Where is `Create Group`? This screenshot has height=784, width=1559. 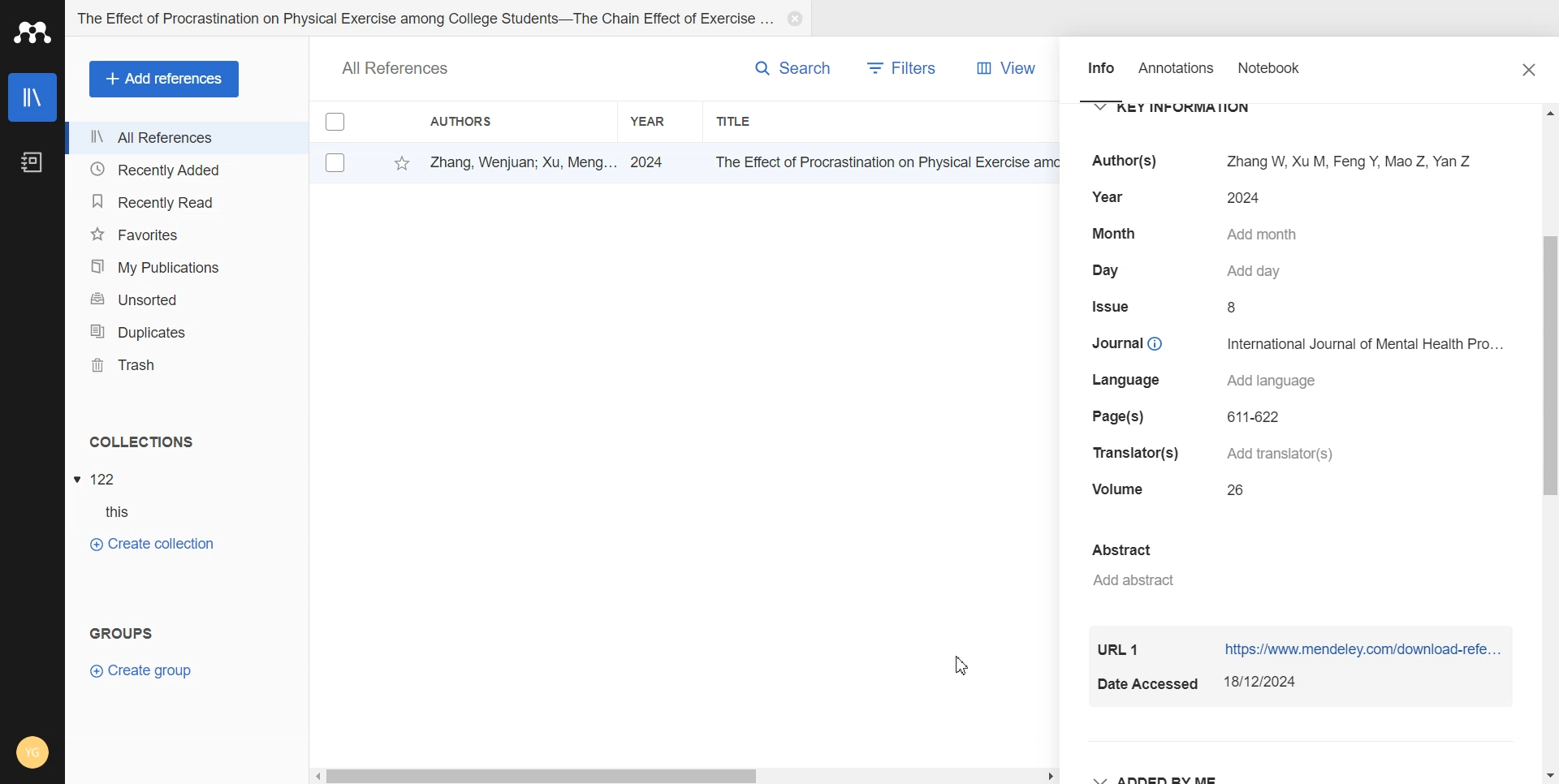 Create Group is located at coordinates (153, 670).